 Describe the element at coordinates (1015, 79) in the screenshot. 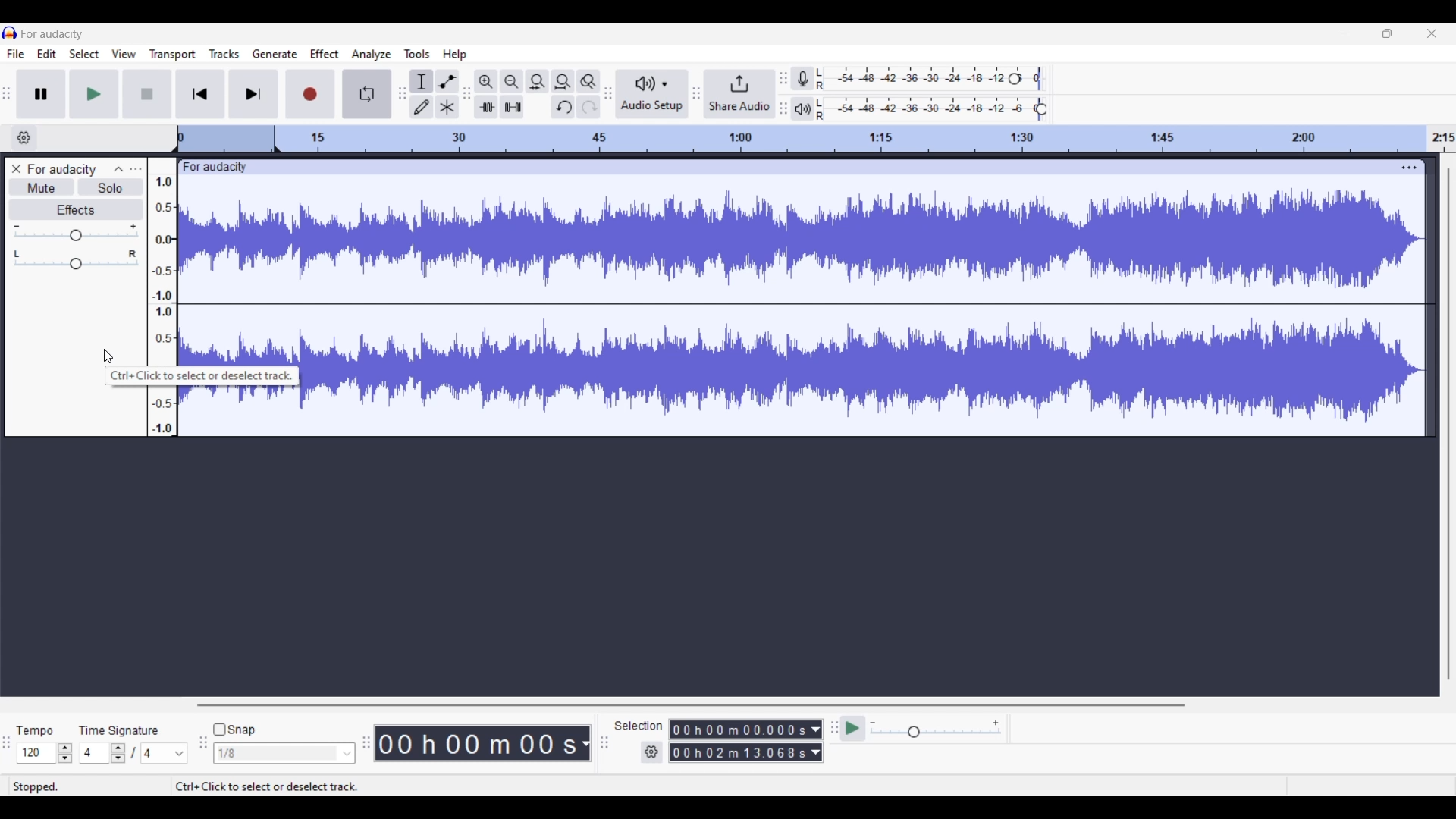

I see `Recording level header` at that location.